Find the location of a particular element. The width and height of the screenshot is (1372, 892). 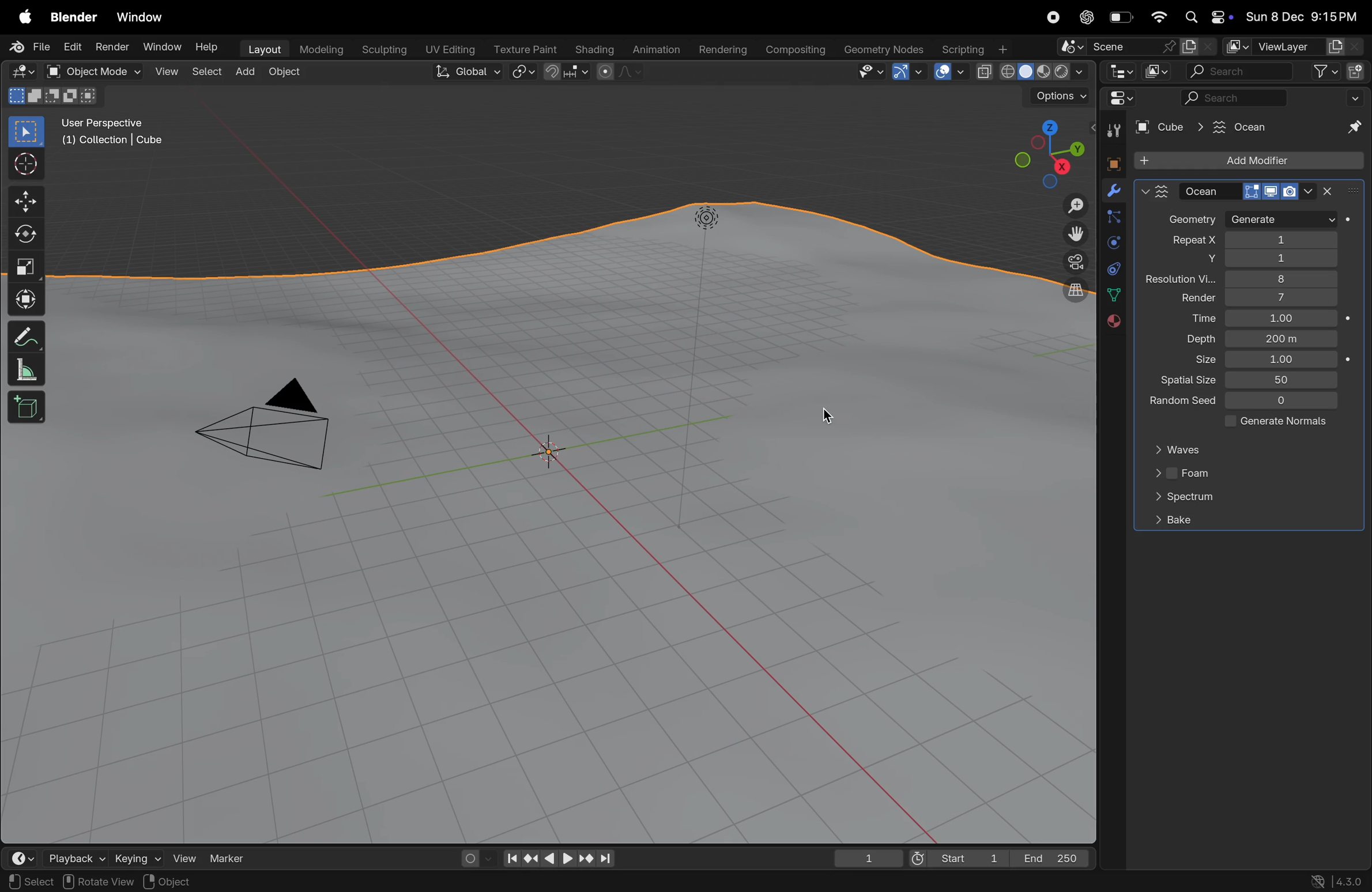

keying is located at coordinates (135, 857).